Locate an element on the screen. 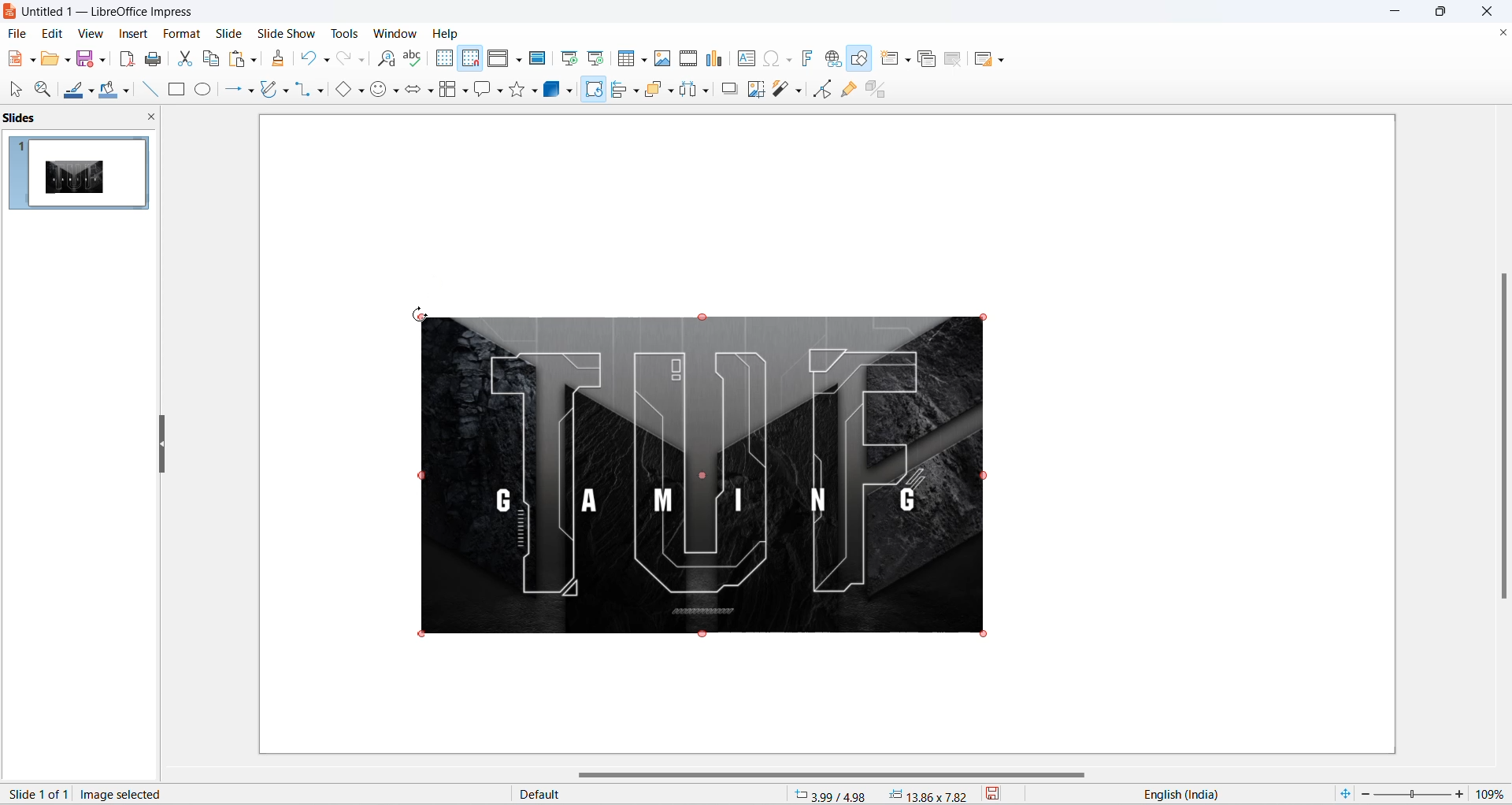  insert audio and video is located at coordinates (687, 58).